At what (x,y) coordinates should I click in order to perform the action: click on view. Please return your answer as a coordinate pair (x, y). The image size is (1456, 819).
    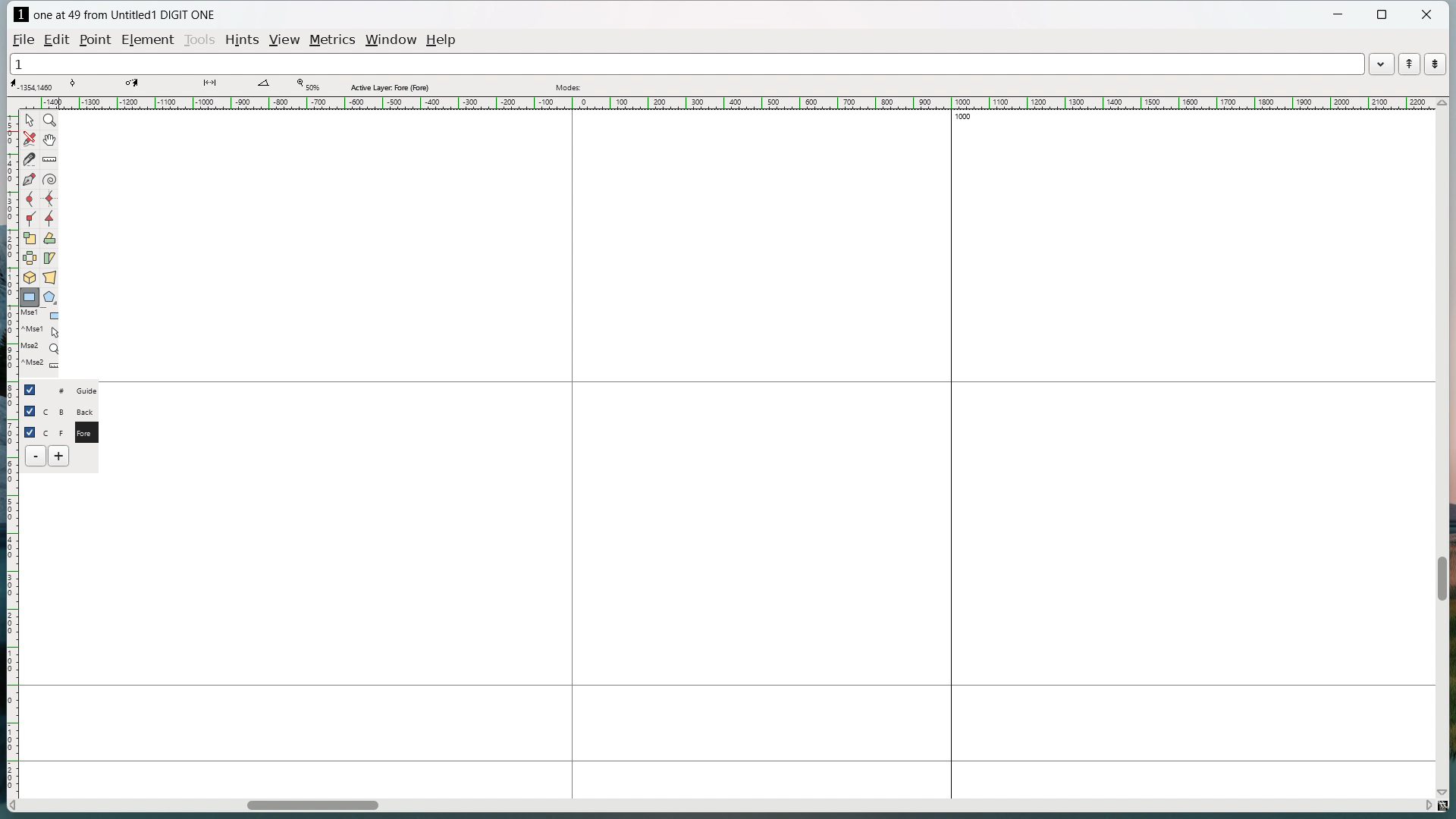
    Looking at the image, I should click on (286, 40).